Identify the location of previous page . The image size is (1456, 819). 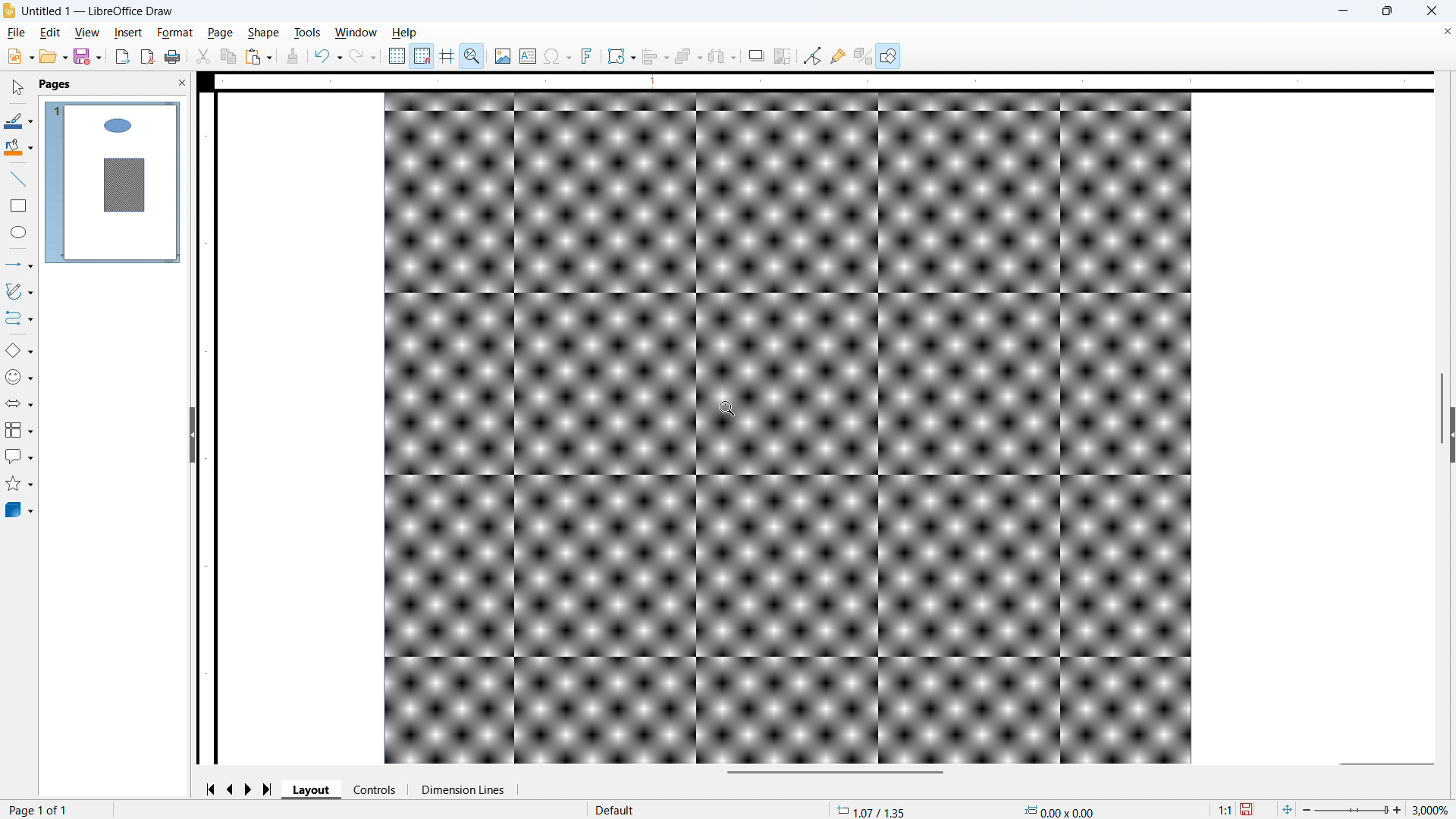
(232, 789).